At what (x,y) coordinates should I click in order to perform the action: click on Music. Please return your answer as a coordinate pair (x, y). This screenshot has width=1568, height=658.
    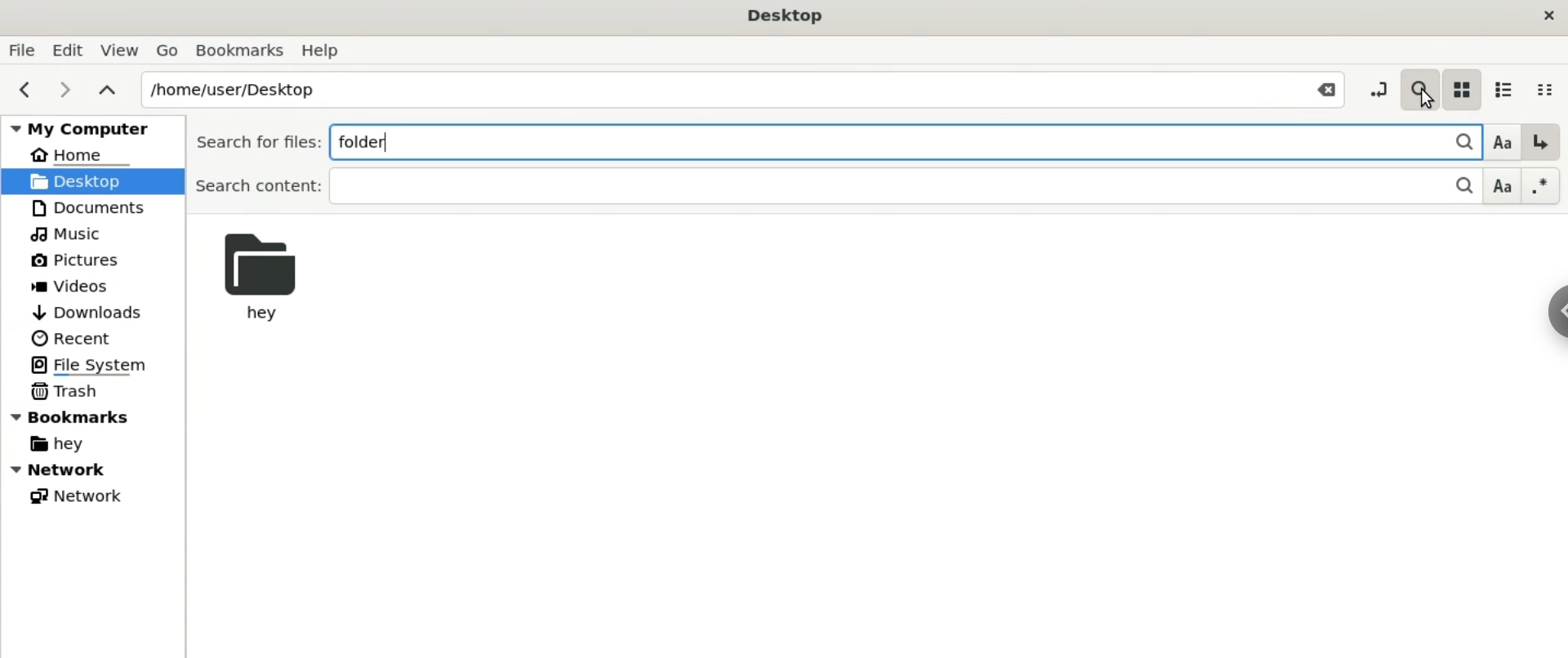
    Looking at the image, I should click on (69, 233).